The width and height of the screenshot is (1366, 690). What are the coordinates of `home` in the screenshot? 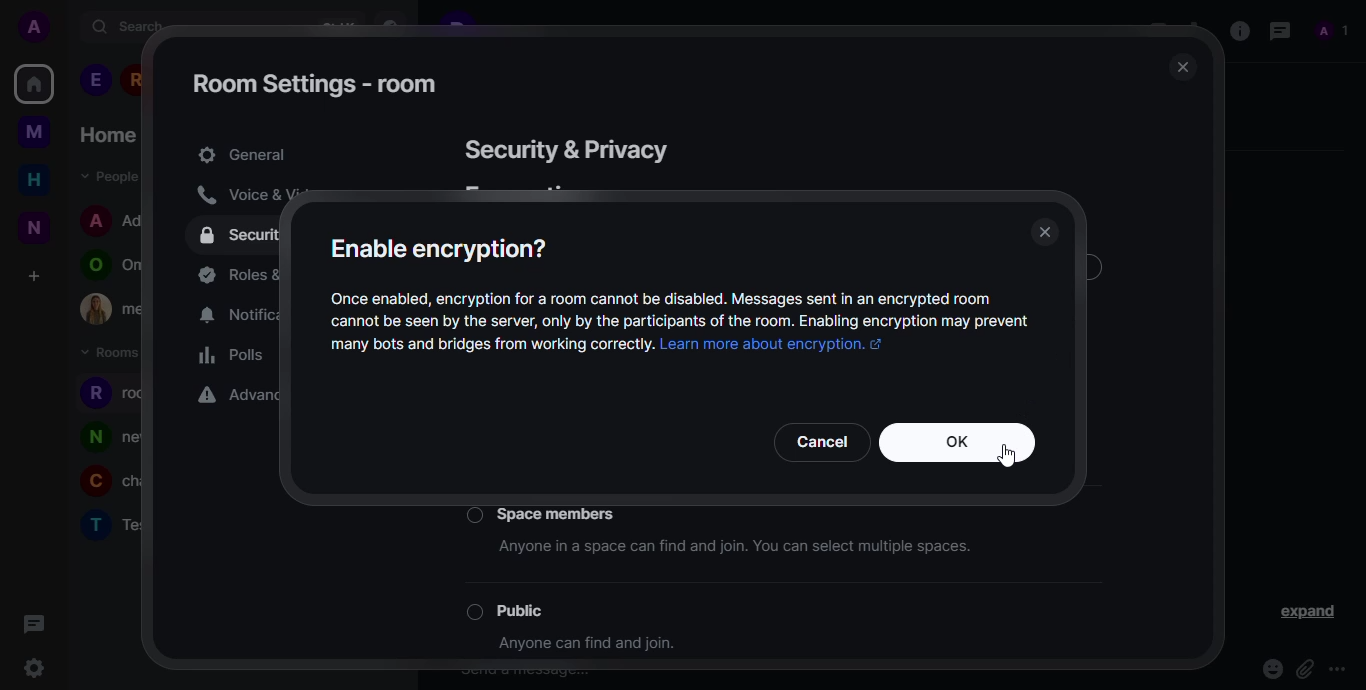 It's located at (33, 83).